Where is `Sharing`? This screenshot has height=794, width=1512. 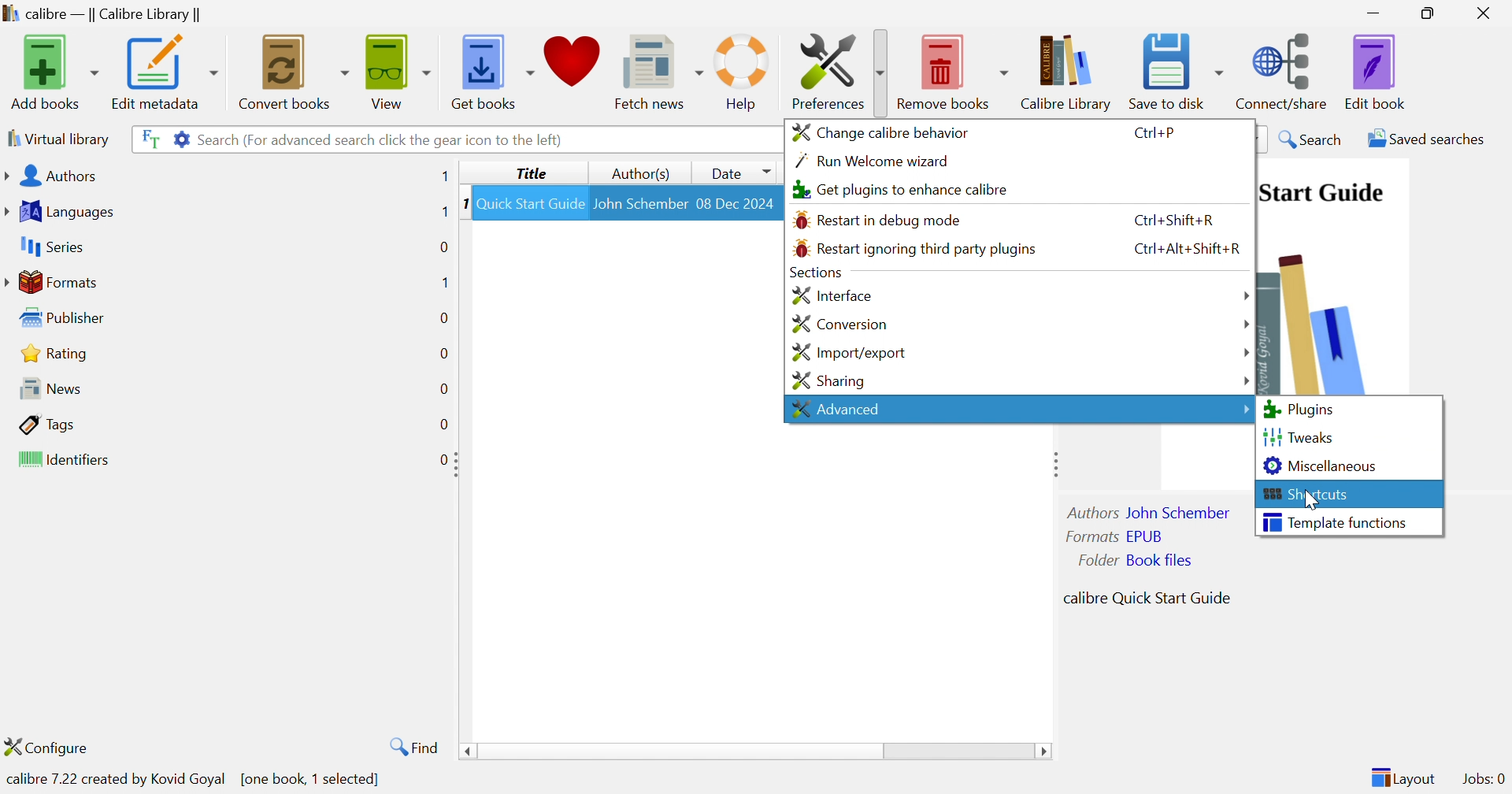 Sharing is located at coordinates (827, 381).